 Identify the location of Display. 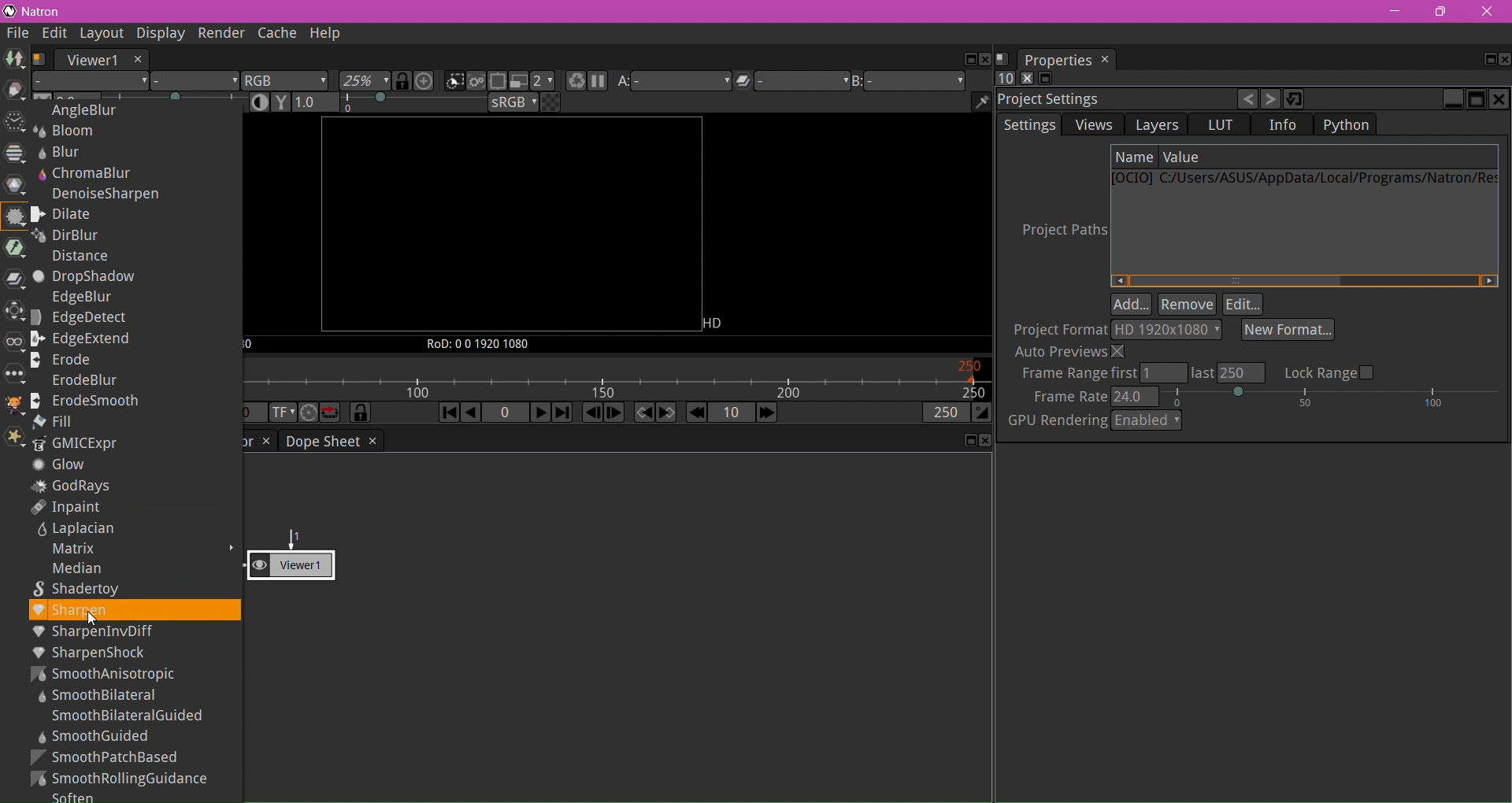
(157, 33).